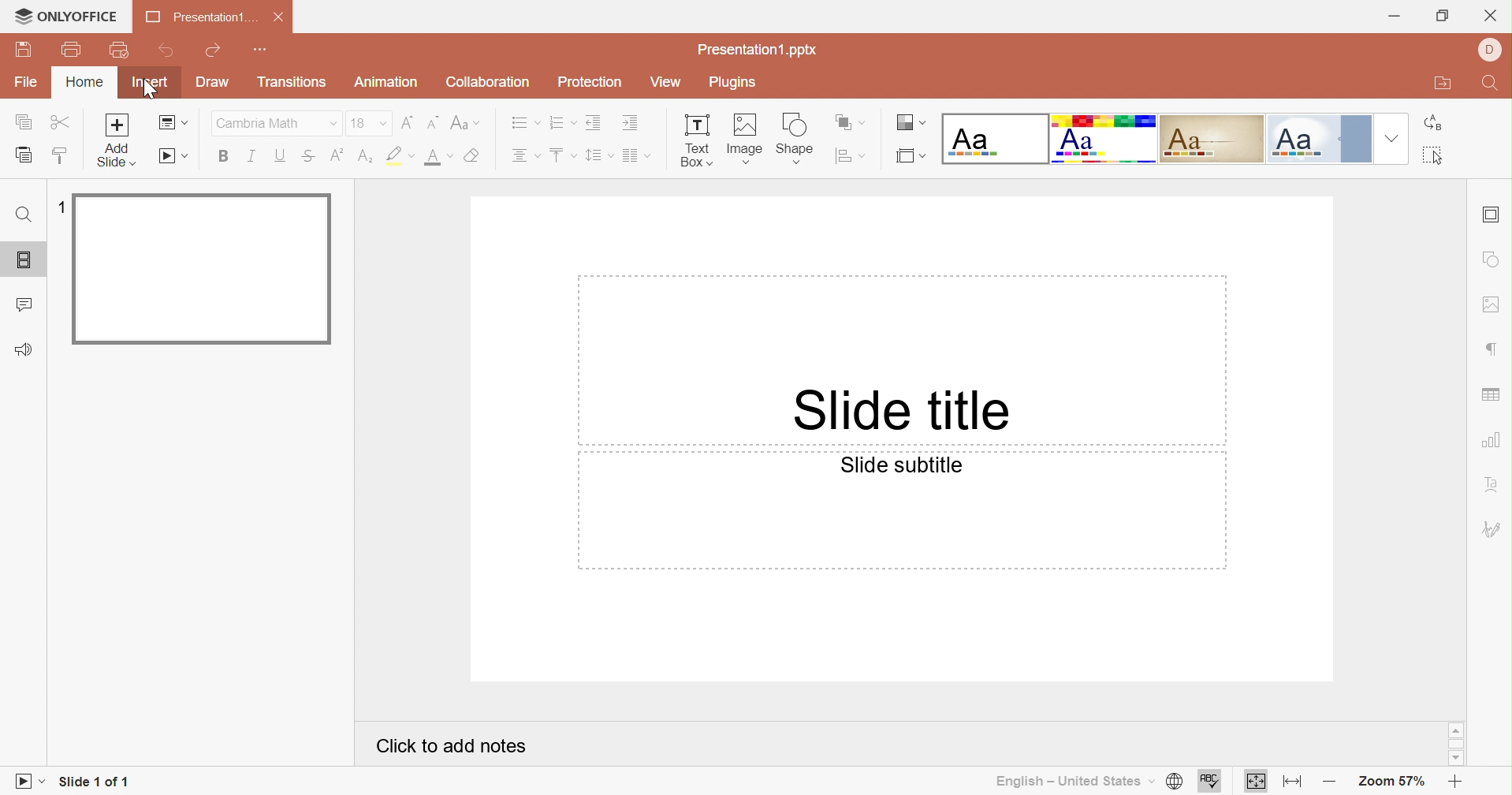  I want to click on Slides, so click(24, 259).